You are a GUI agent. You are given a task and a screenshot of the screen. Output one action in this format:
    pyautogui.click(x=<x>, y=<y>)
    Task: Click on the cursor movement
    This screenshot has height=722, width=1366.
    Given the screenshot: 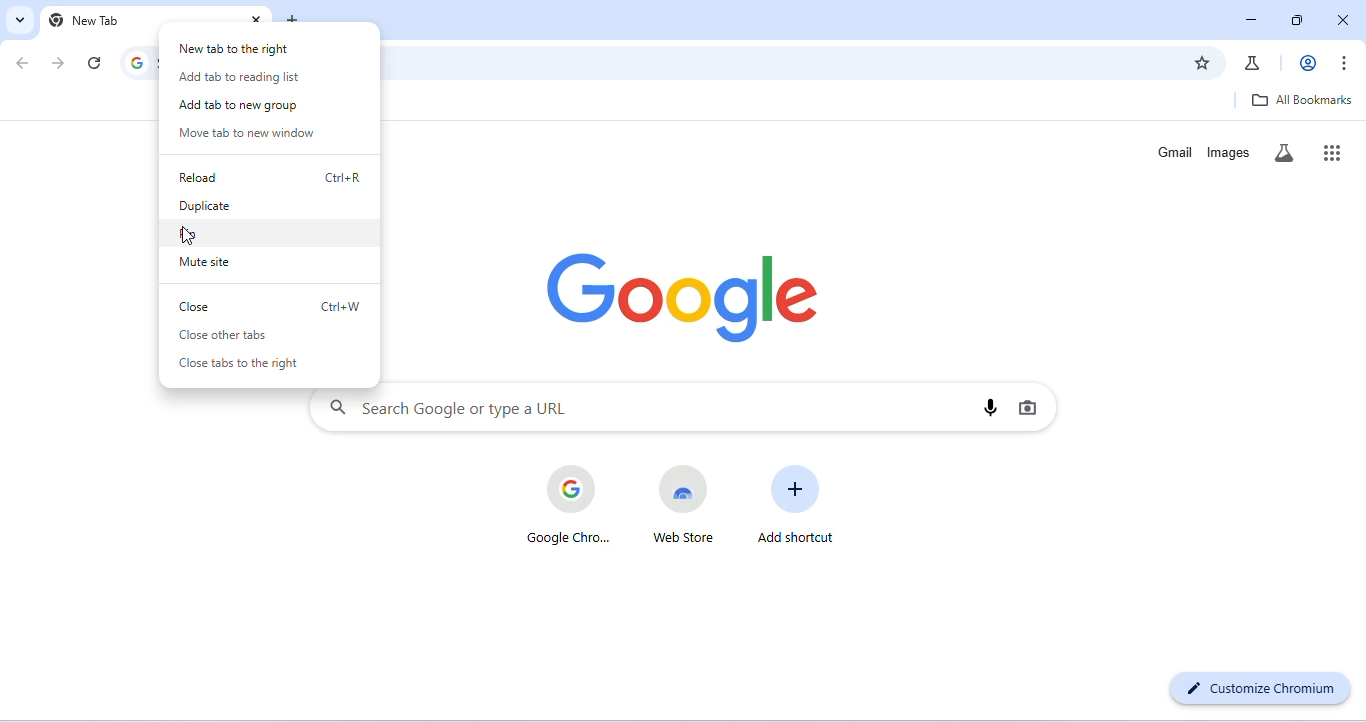 What is the action you would take?
    pyautogui.click(x=190, y=235)
    